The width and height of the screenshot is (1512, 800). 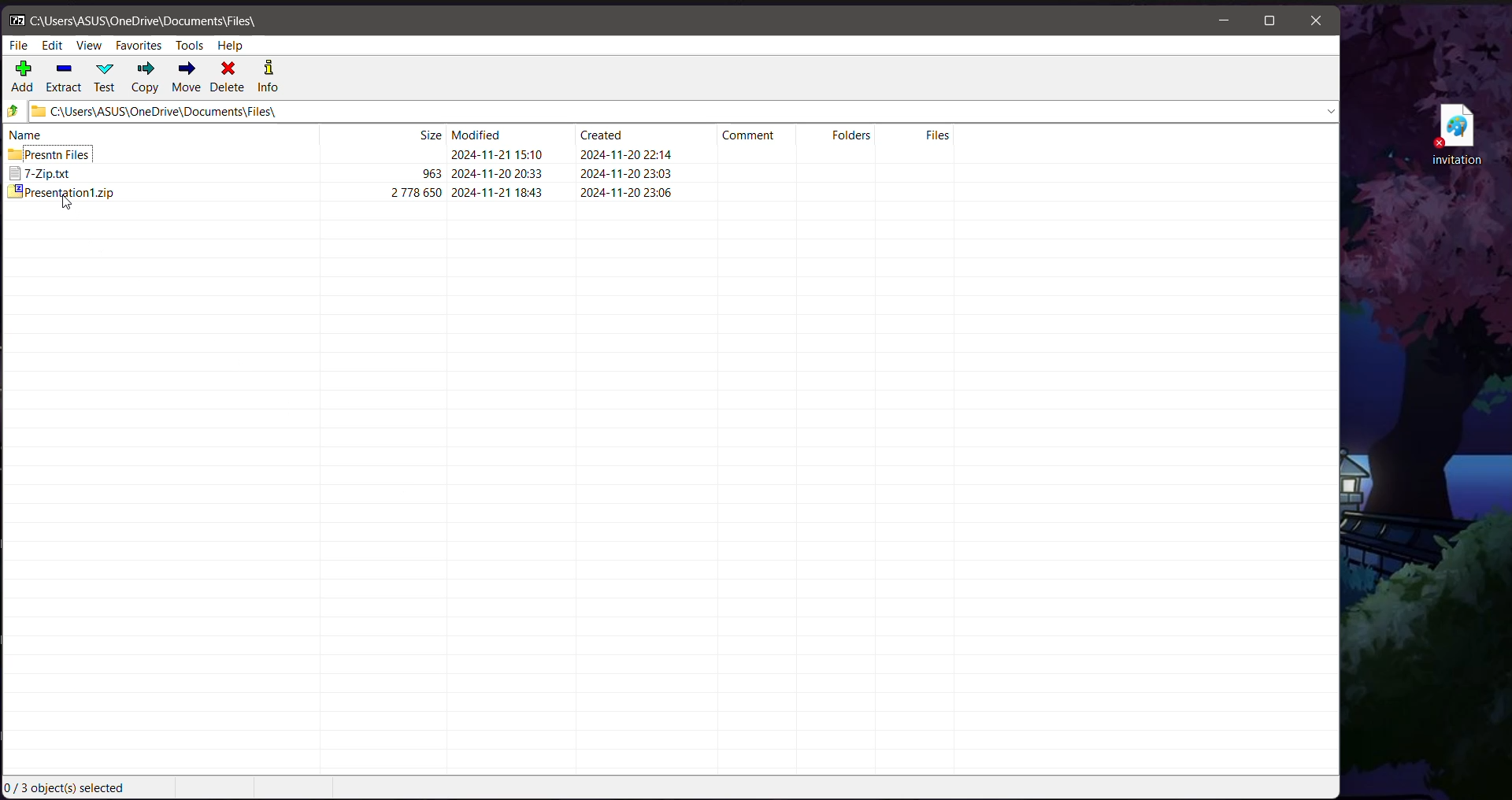 I want to click on Created, so click(x=605, y=131).